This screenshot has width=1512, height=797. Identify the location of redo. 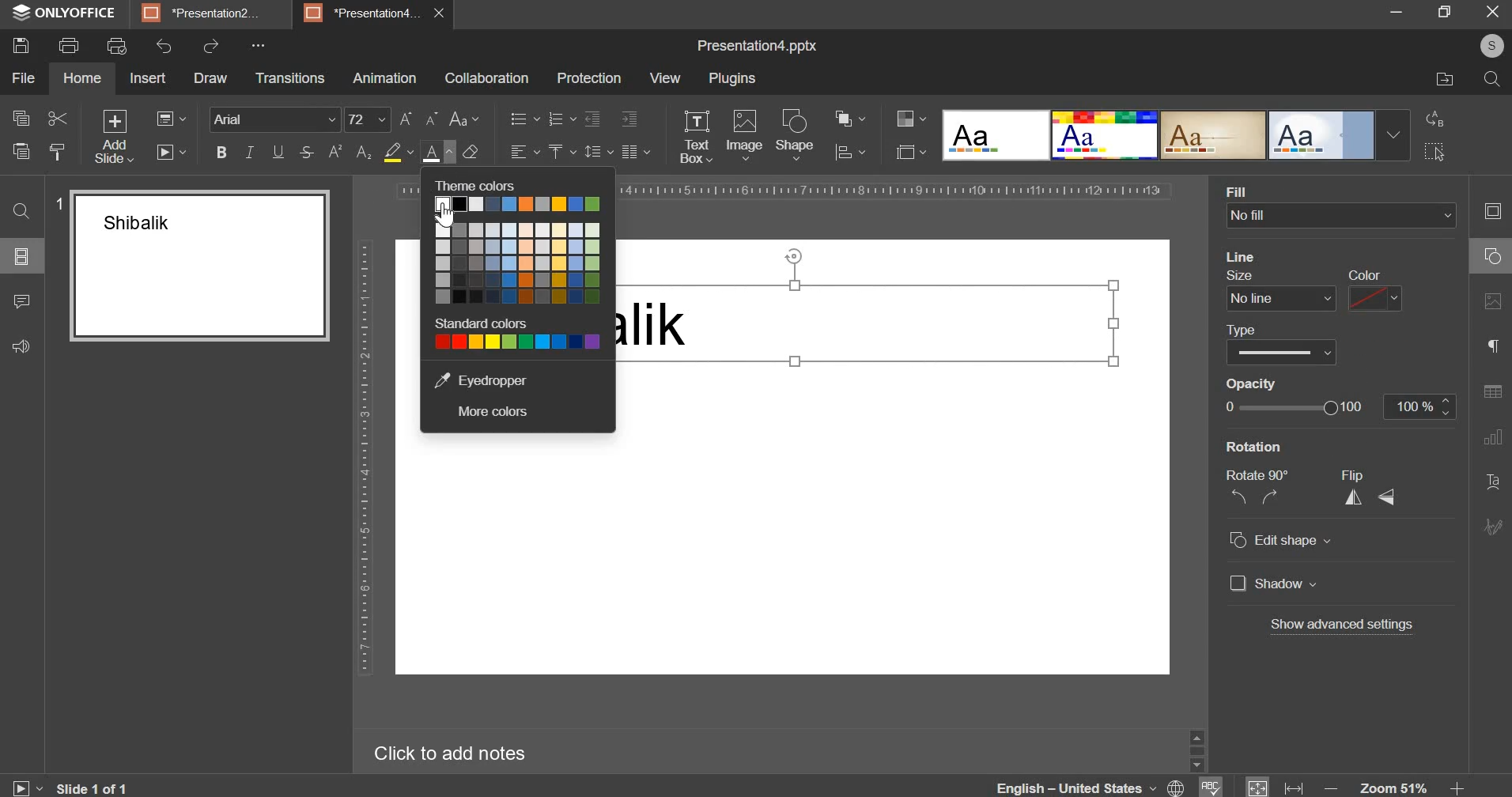
(211, 46).